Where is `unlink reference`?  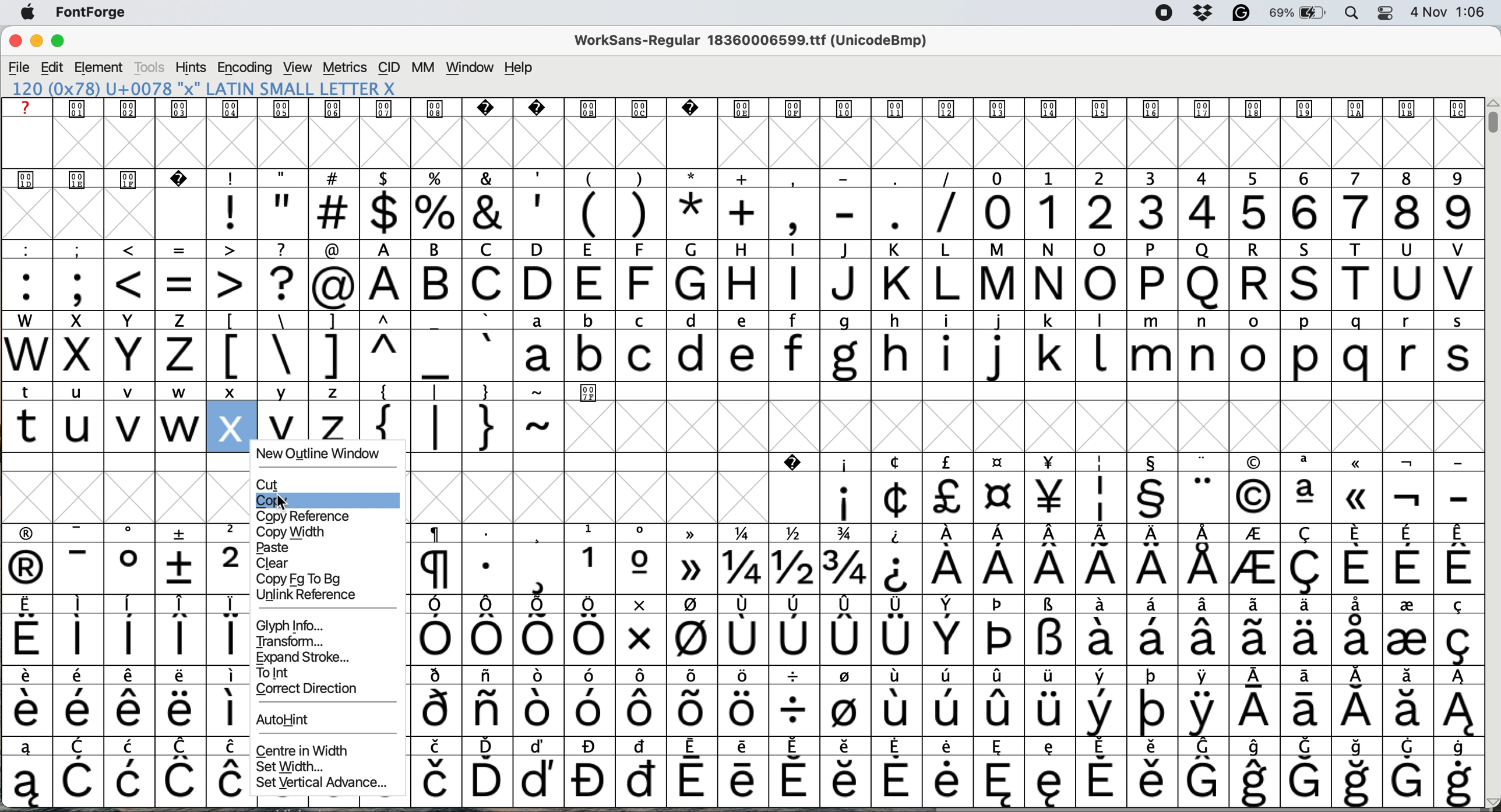 unlink reference is located at coordinates (306, 595).